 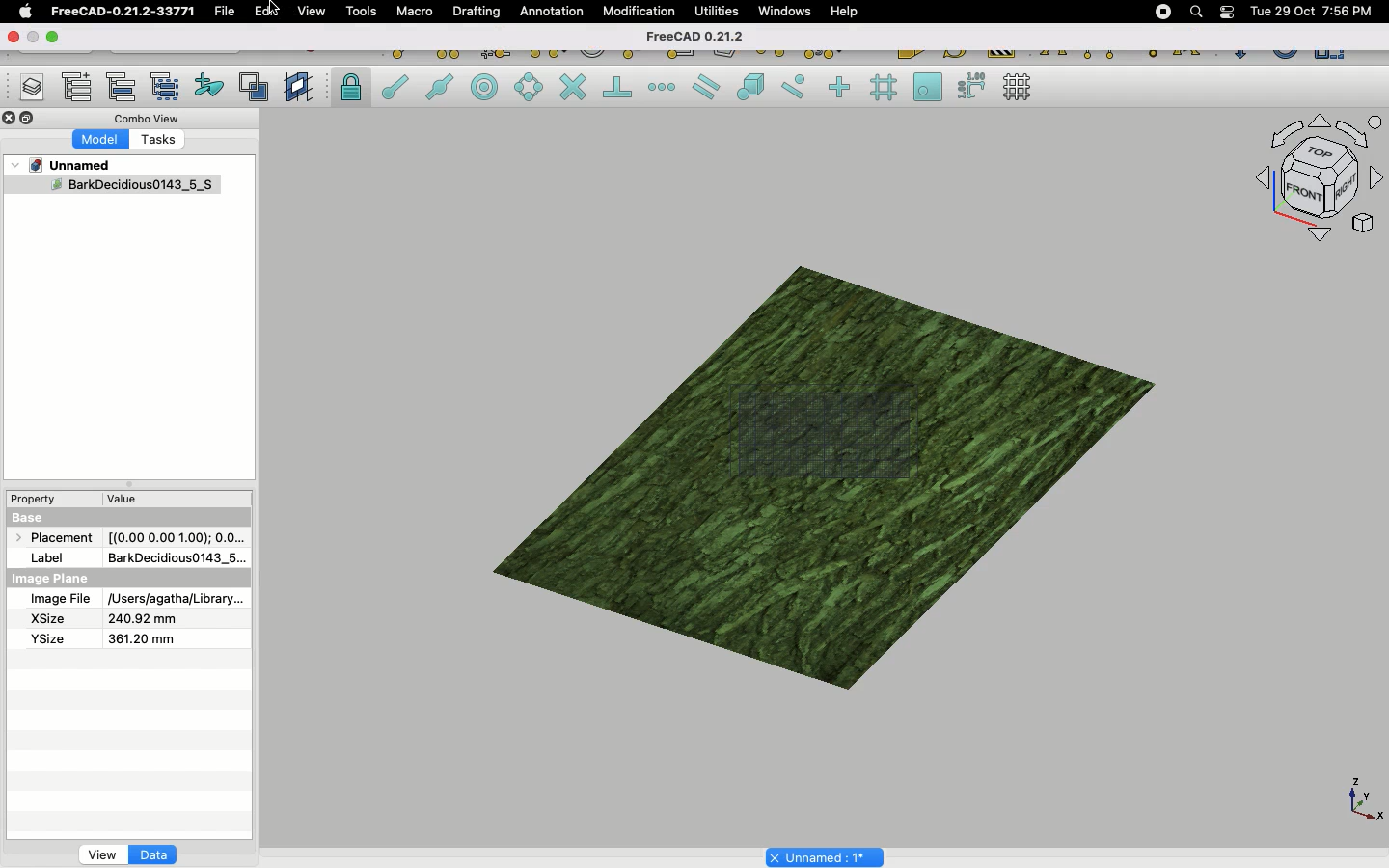 I want to click on 361.20 mm, so click(x=139, y=638).